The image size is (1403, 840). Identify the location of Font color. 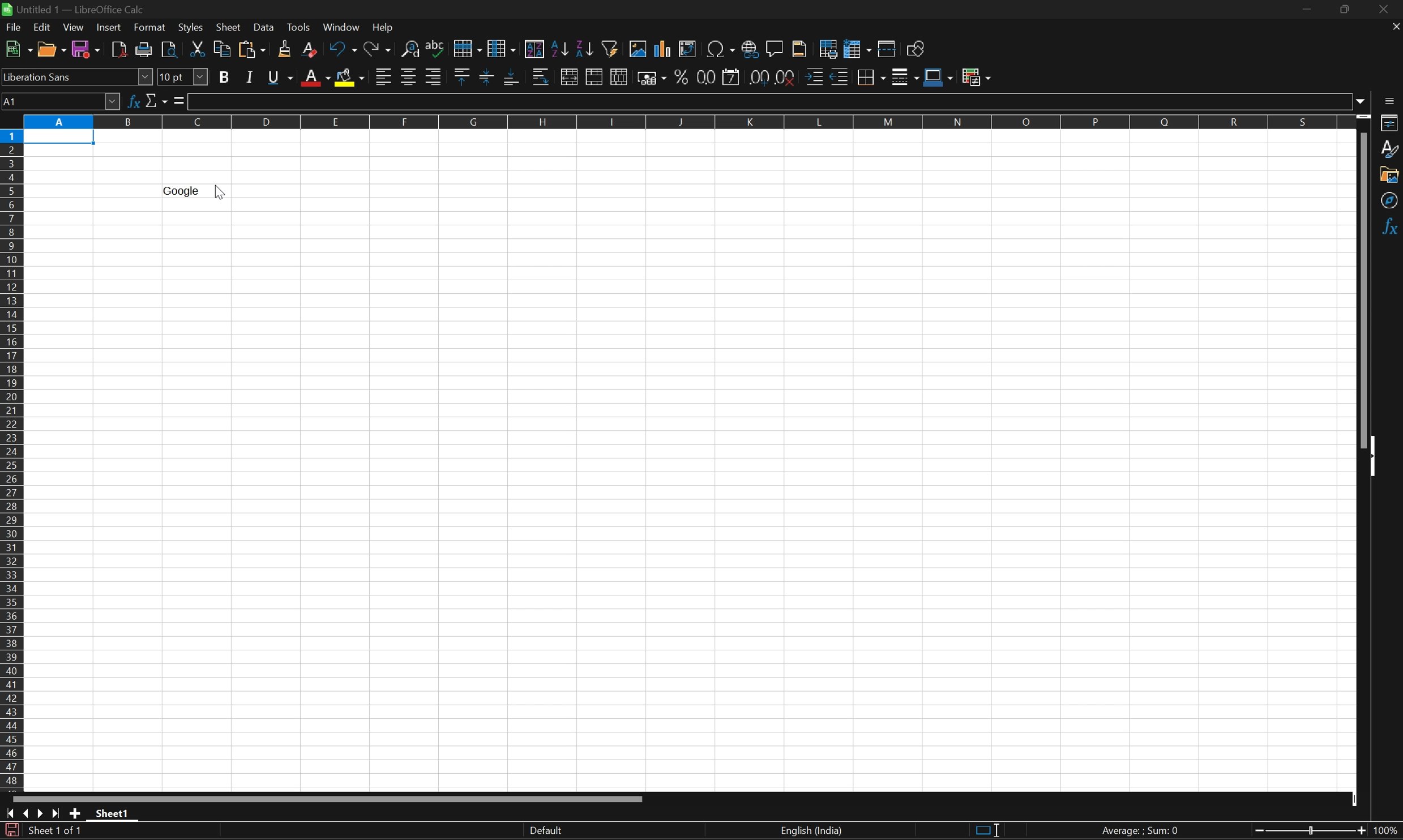
(314, 78).